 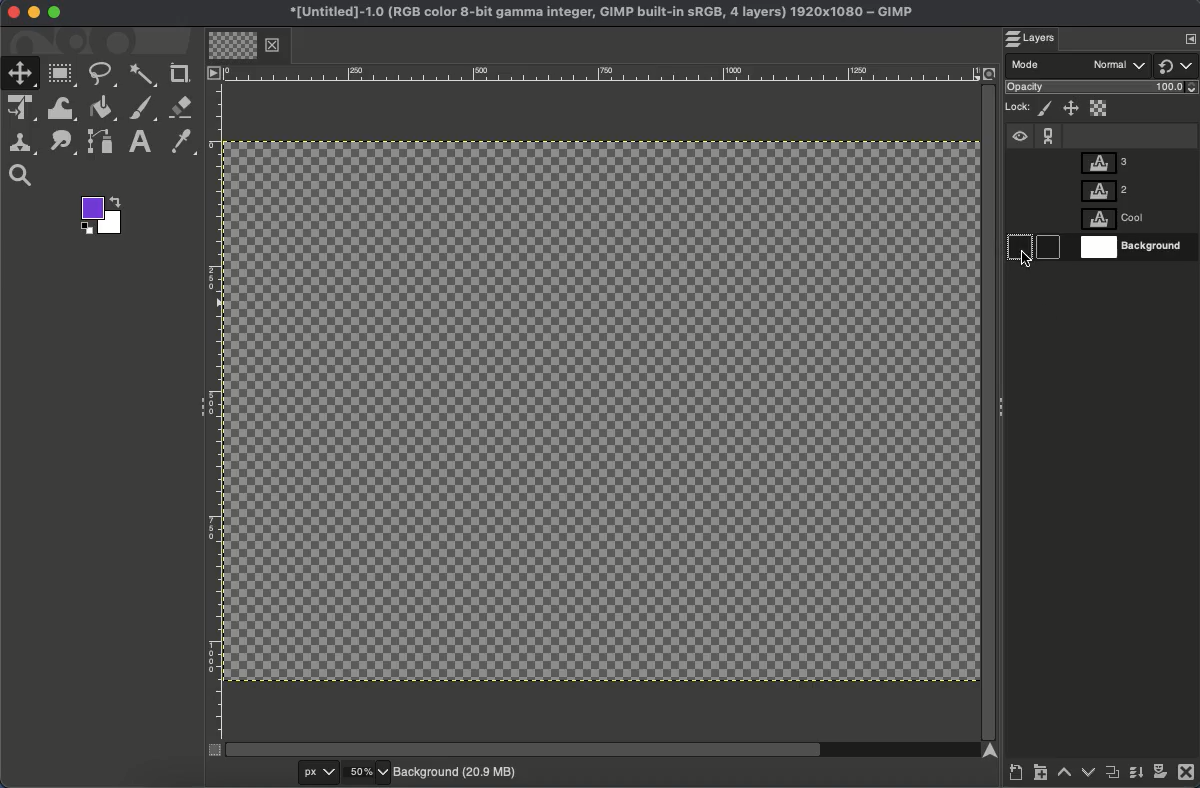 What do you see at coordinates (103, 108) in the screenshot?
I see `Fill` at bounding box center [103, 108].